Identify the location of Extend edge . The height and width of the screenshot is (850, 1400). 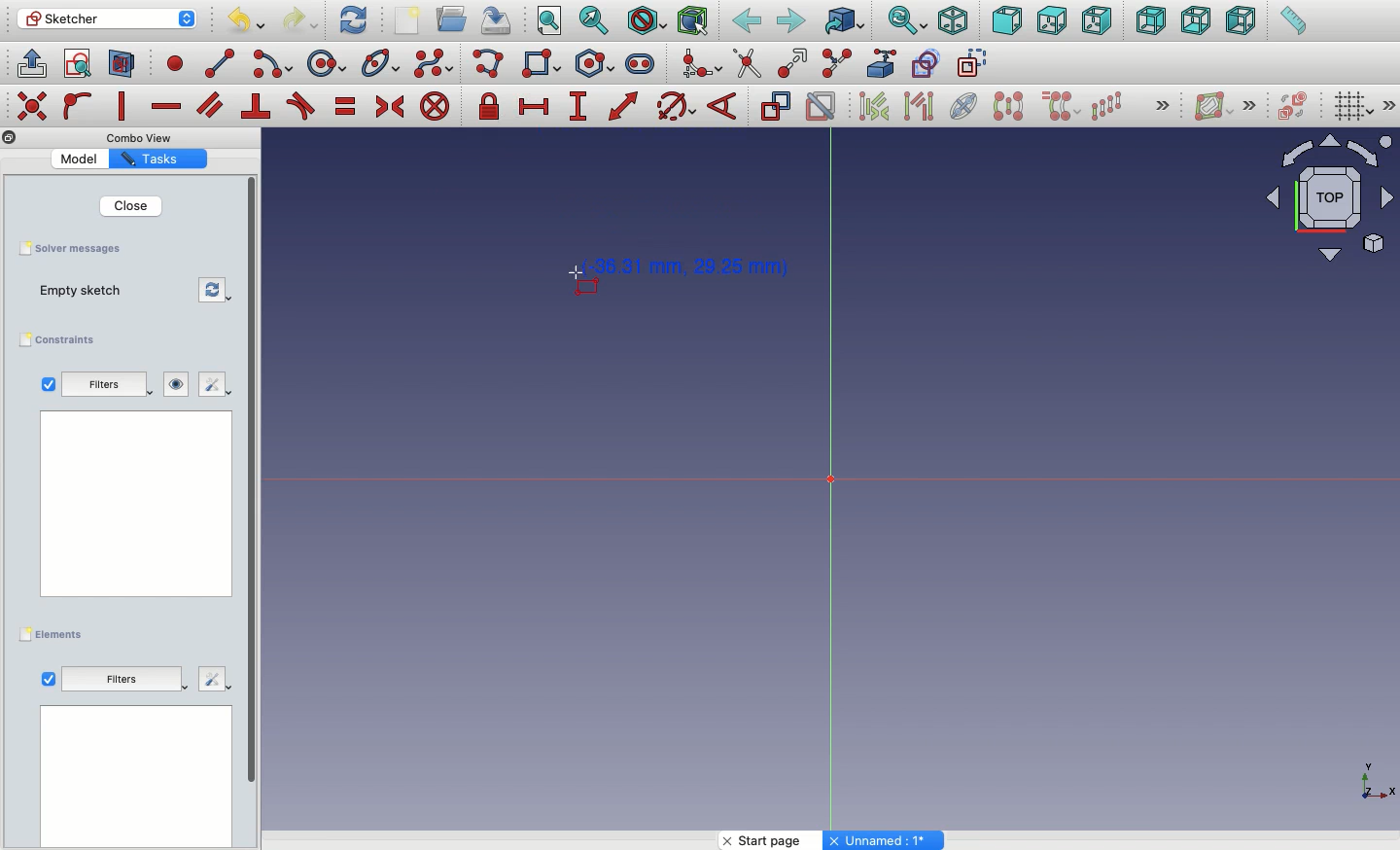
(795, 64).